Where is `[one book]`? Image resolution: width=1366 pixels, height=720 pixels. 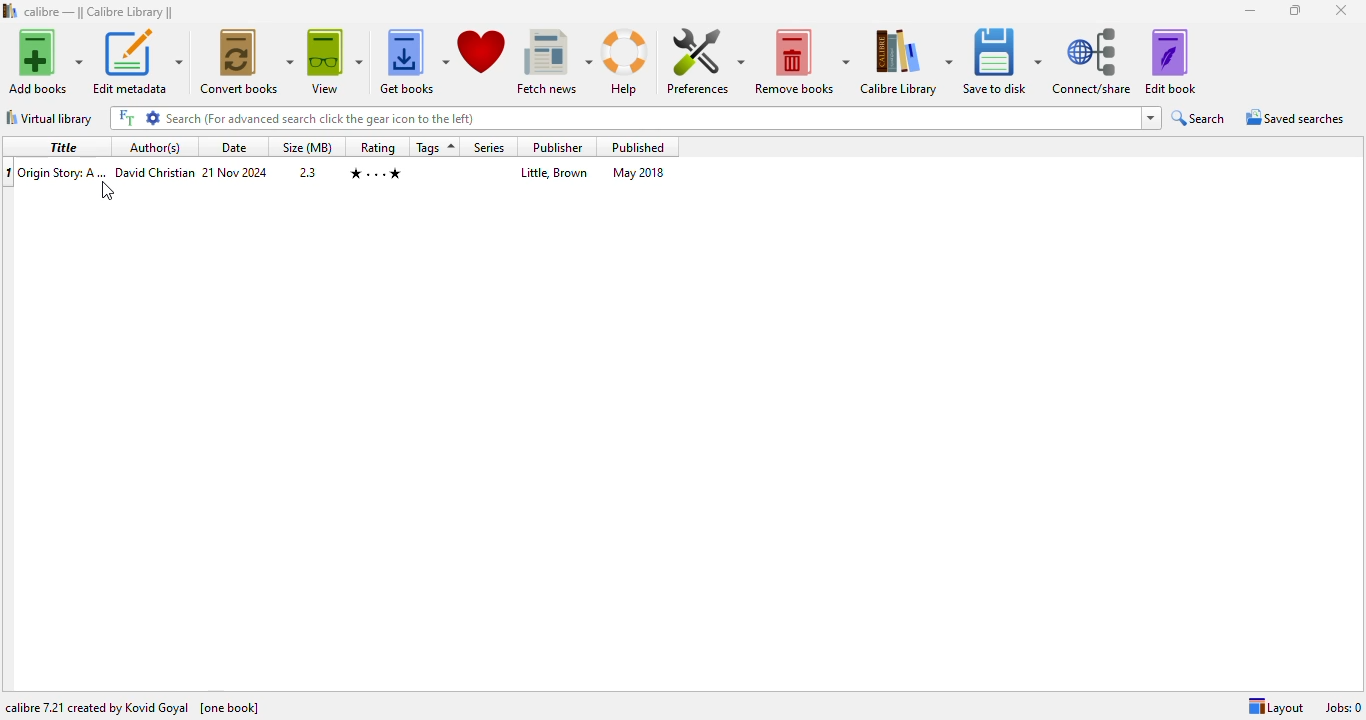
[one book] is located at coordinates (230, 708).